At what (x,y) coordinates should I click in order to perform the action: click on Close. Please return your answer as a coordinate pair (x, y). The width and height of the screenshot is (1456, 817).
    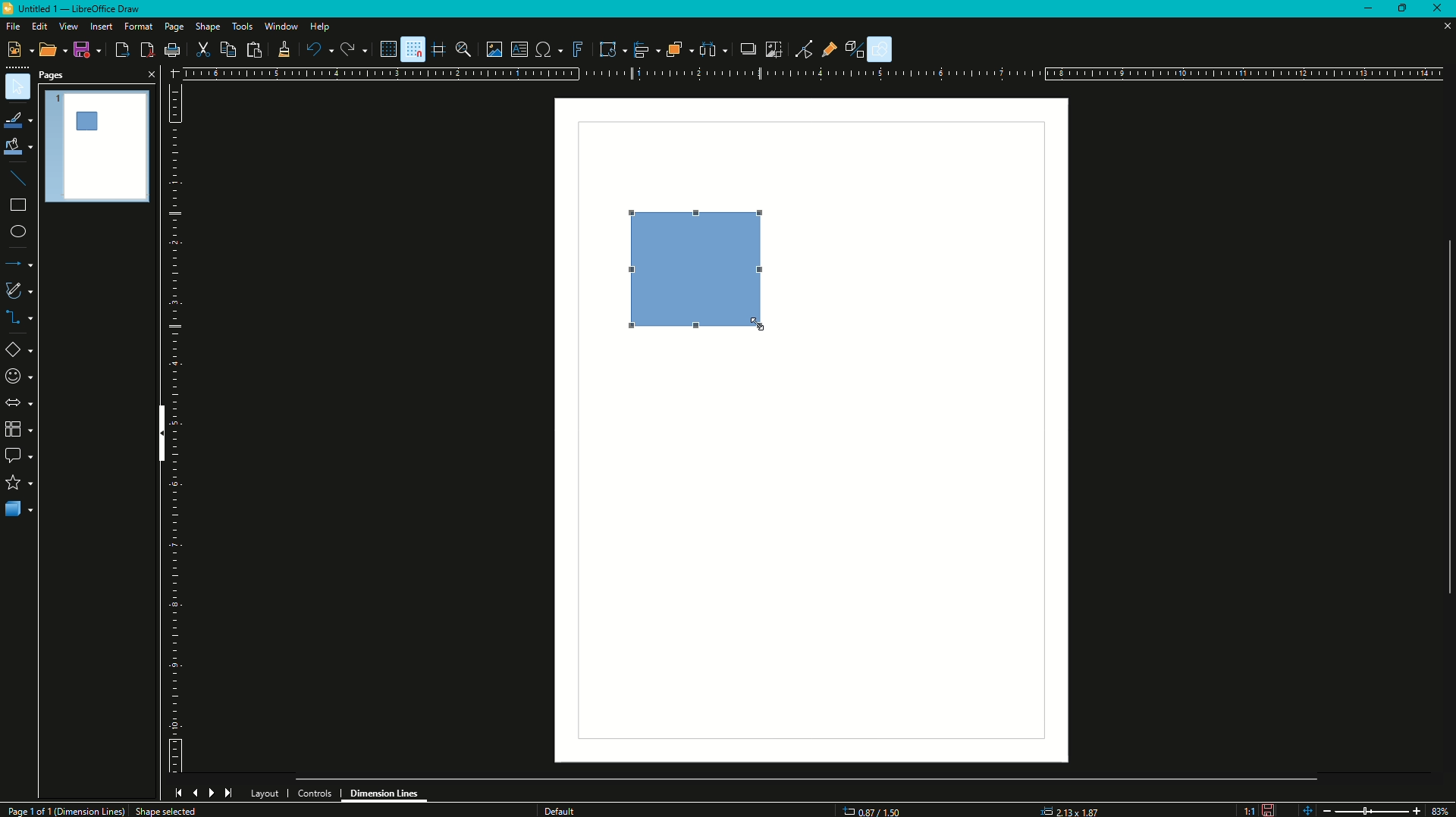
    Looking at the image, I should click on (149, 74).